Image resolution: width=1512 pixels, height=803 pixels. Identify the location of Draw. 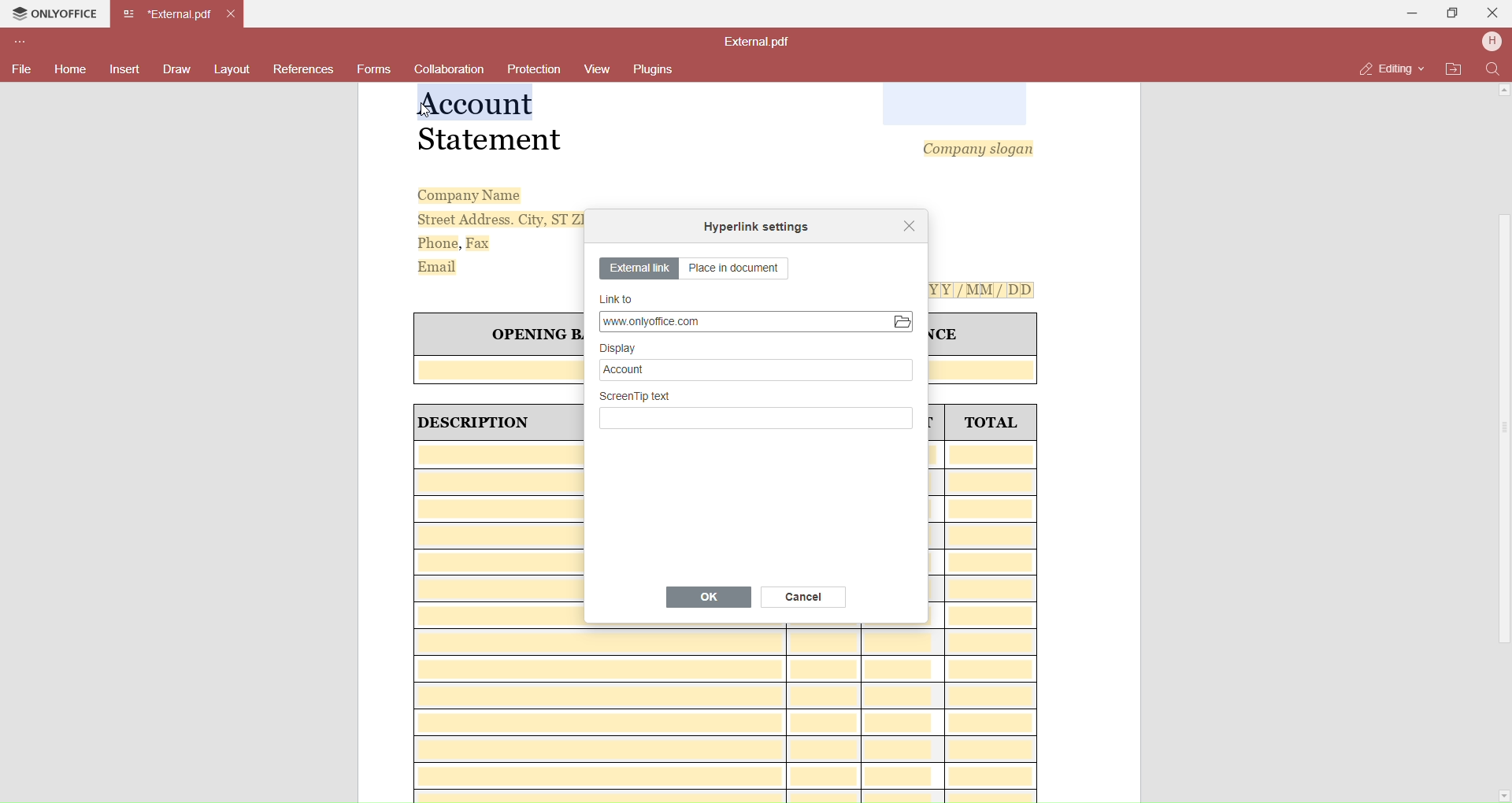
(178, 68).